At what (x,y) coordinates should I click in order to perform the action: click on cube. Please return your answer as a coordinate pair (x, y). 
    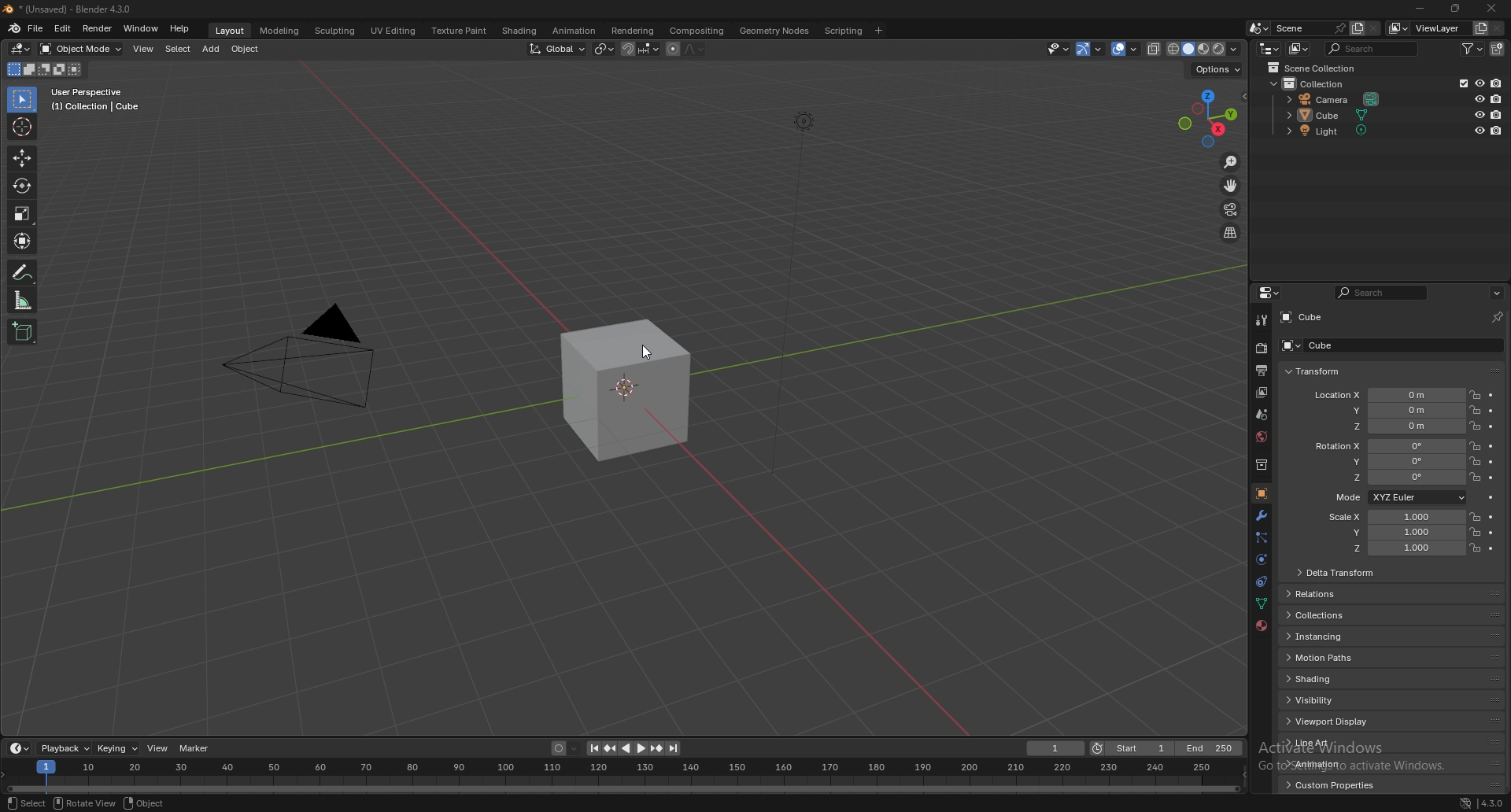
    Looking at the image, I should click on (628, 392).